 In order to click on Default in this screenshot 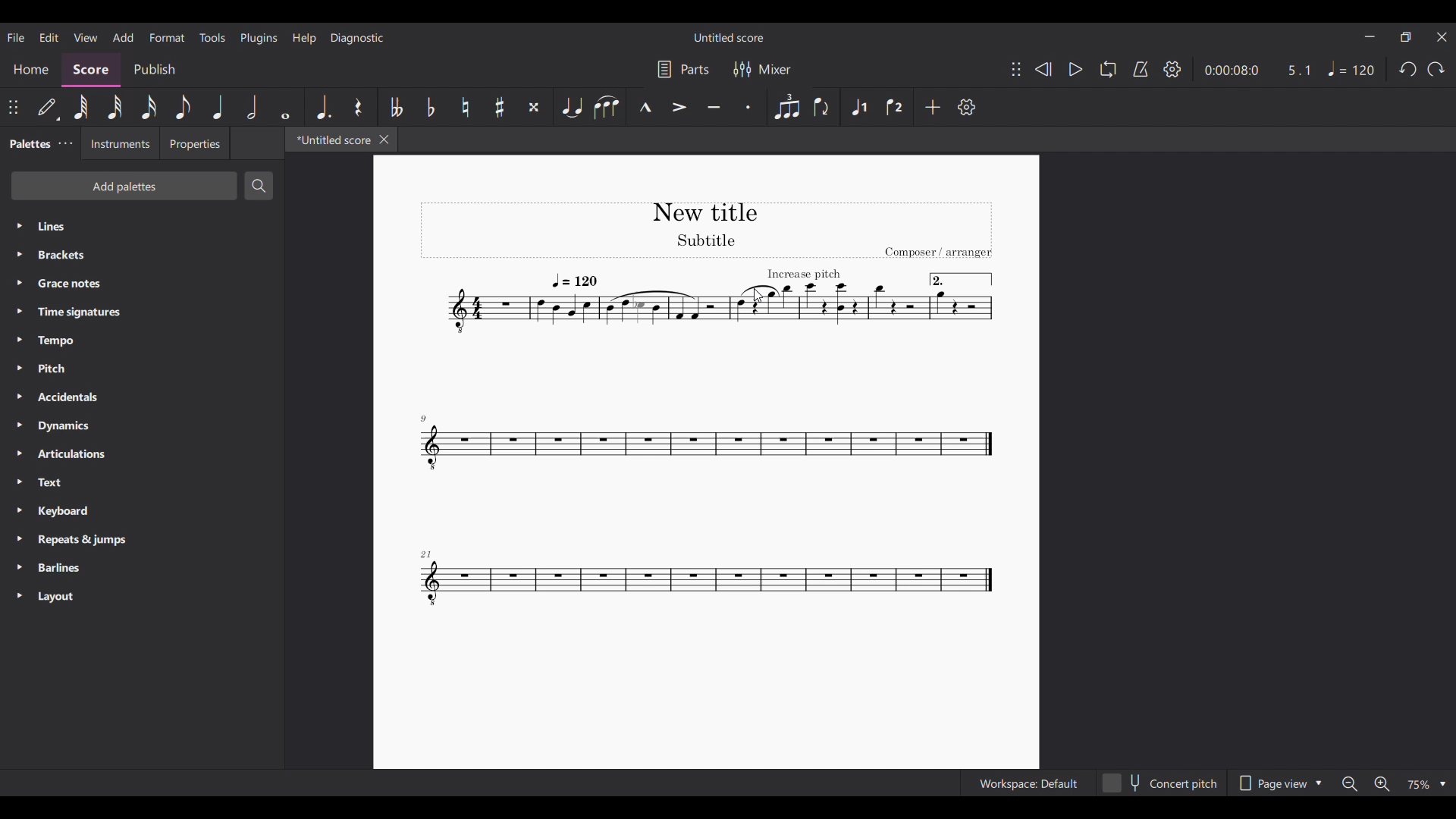, I will do `click(49, 108)`.